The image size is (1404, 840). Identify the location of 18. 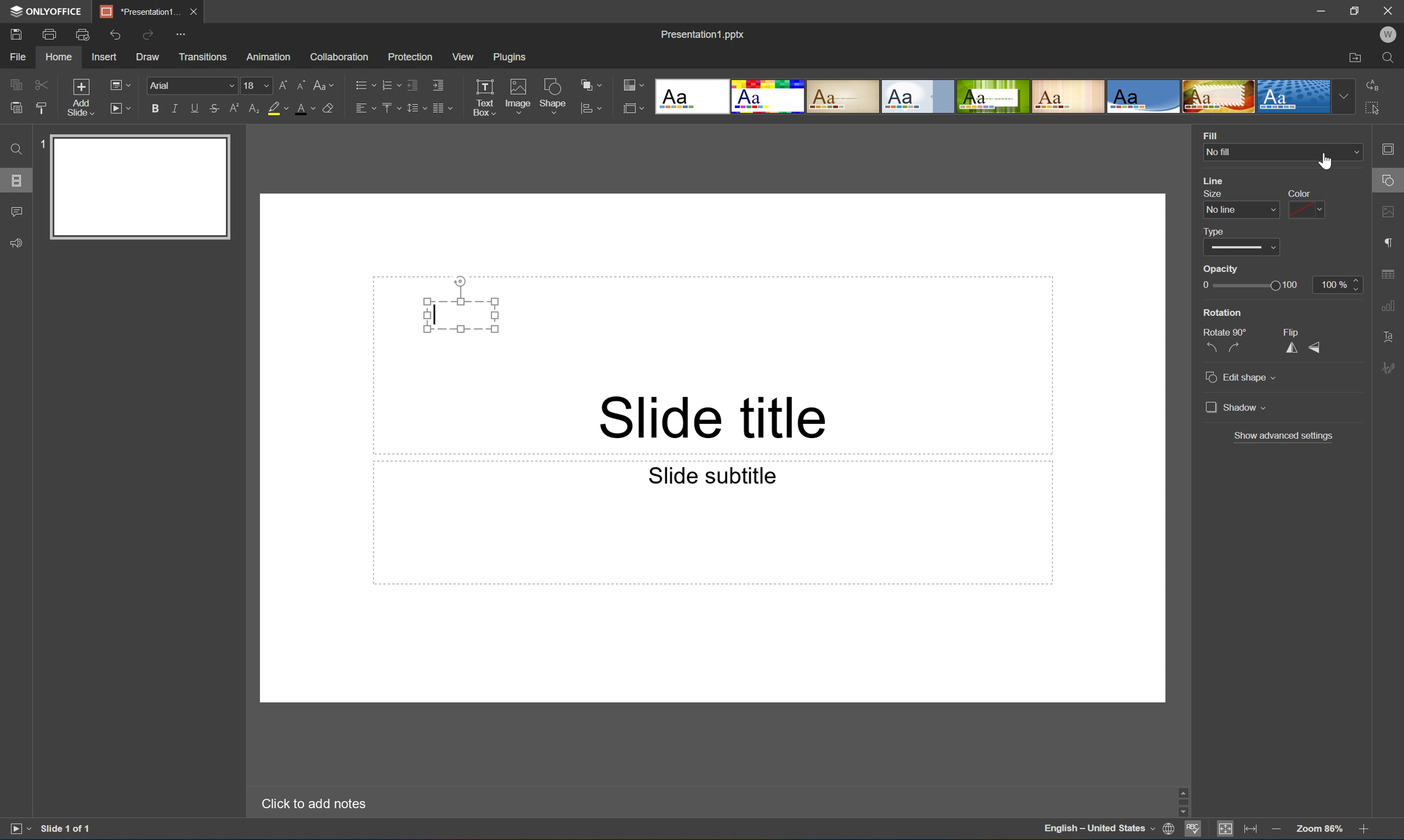
(257, 85).